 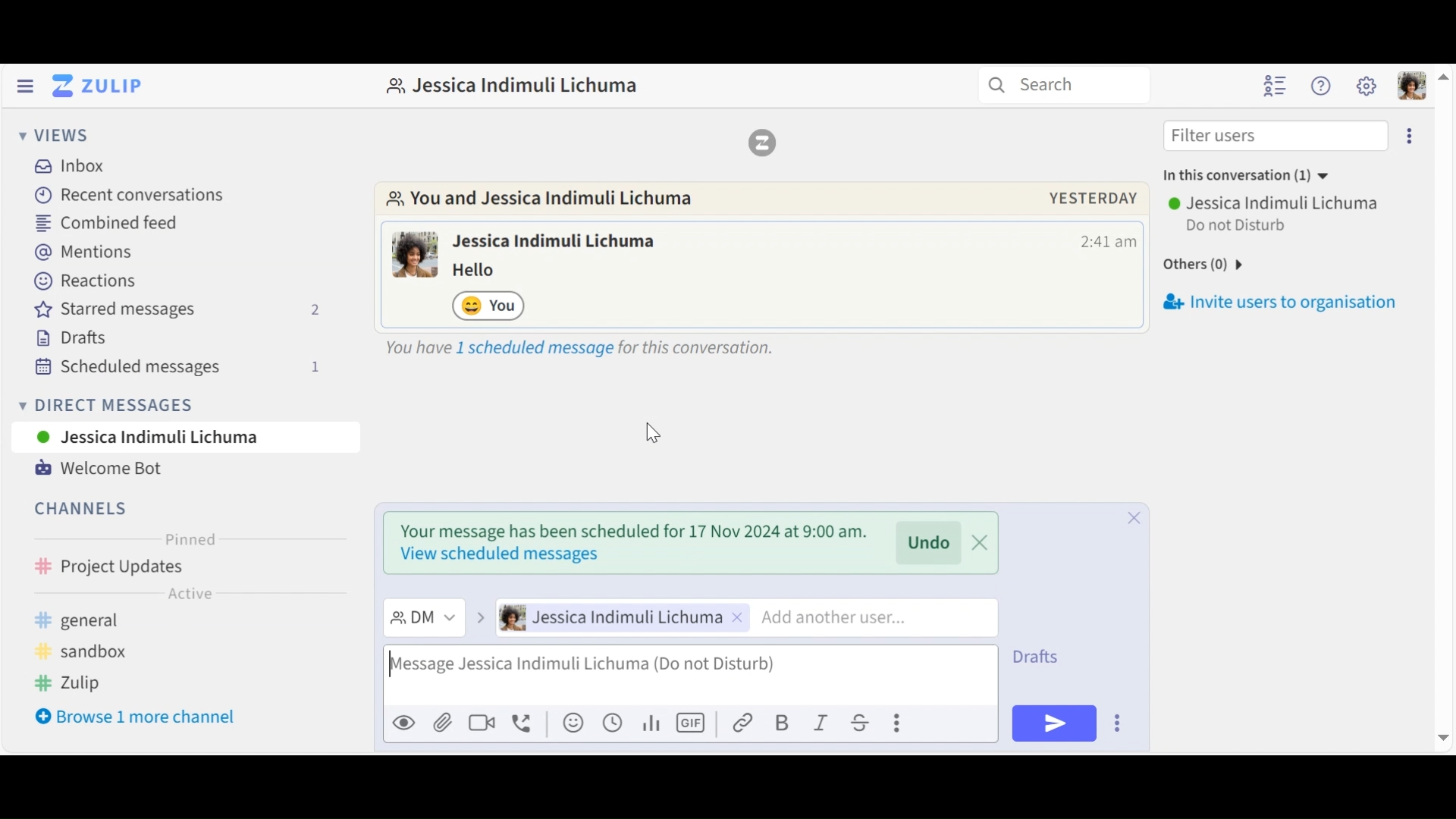 I want to click on Italics, so click(x=821, y=723).